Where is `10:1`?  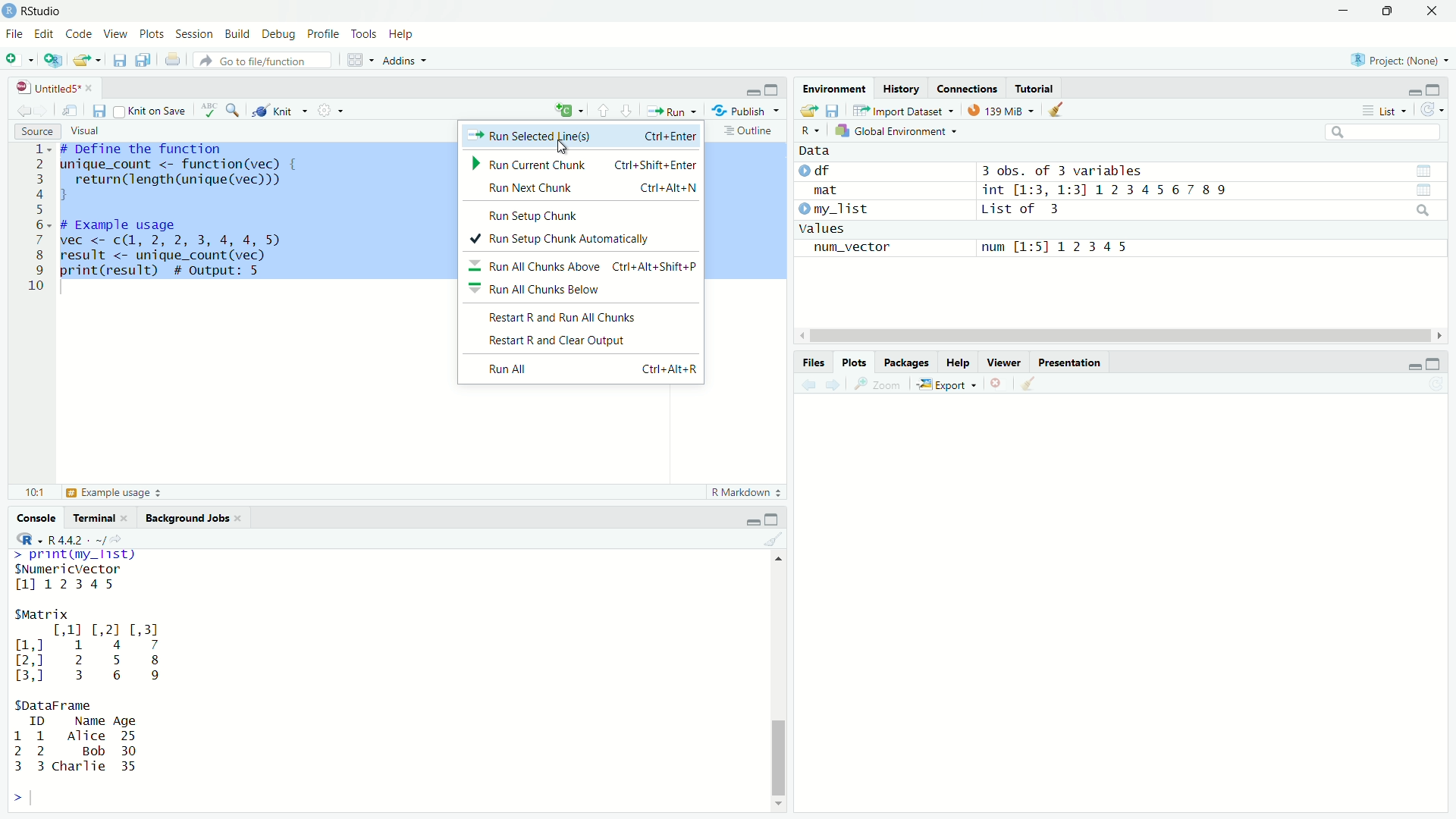 10:1 is located at coordinates (33, 493).